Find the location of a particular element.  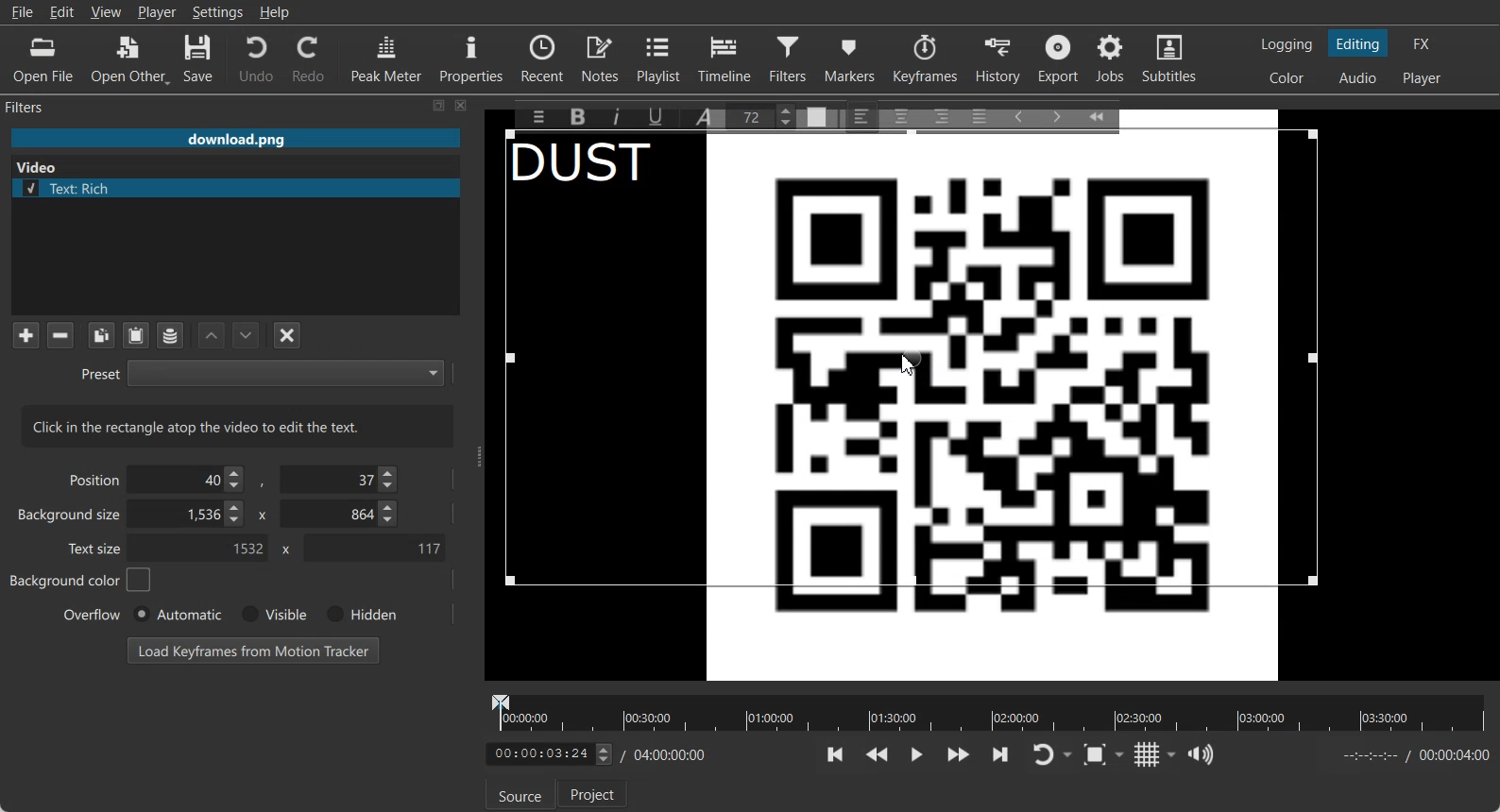

Redo is located at coordinates (310, 59).